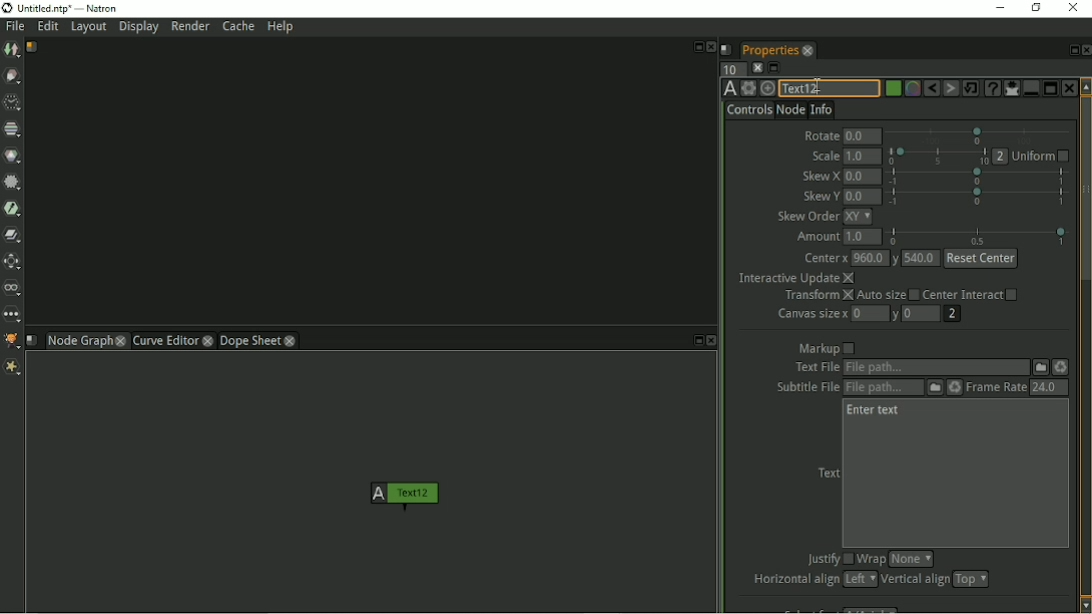  What do you see at coordinates (32, 340) in the screenshot?
I see `Script name` at bounding box center [32, 340].